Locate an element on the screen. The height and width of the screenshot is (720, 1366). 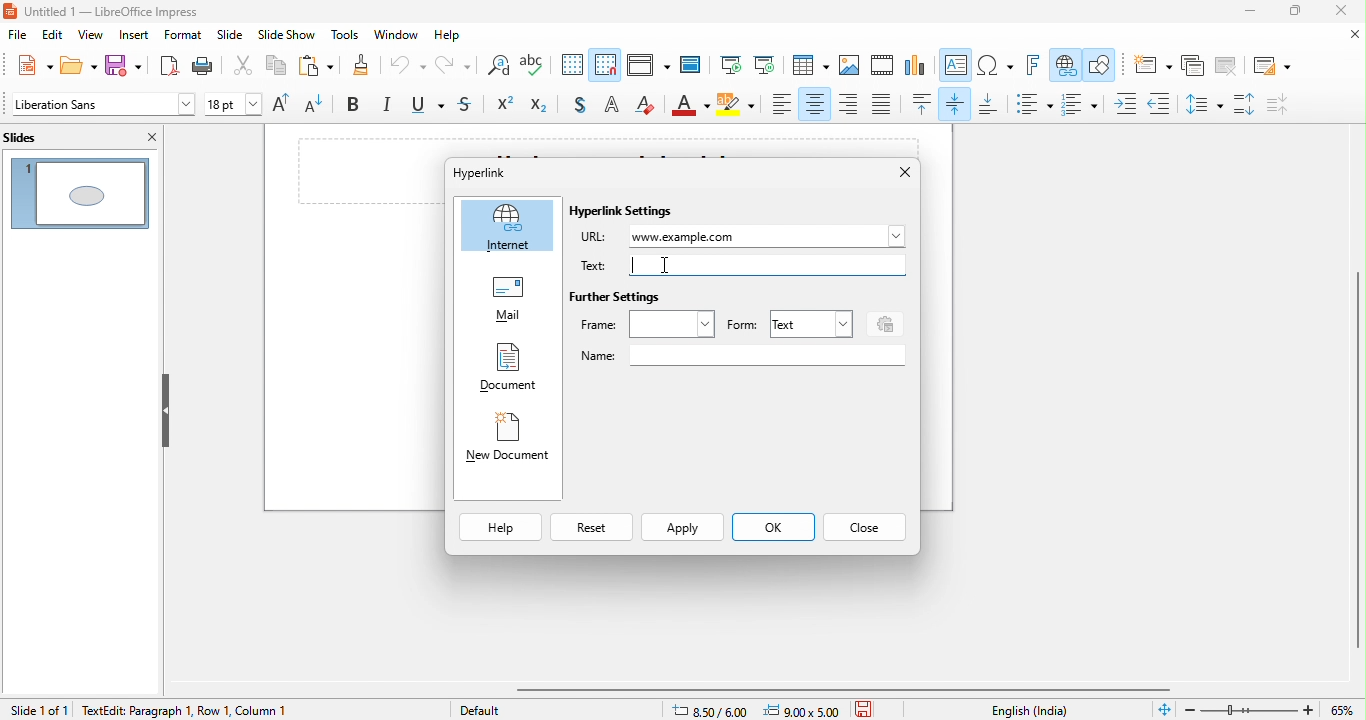
close is located at coordinates (865, 527).